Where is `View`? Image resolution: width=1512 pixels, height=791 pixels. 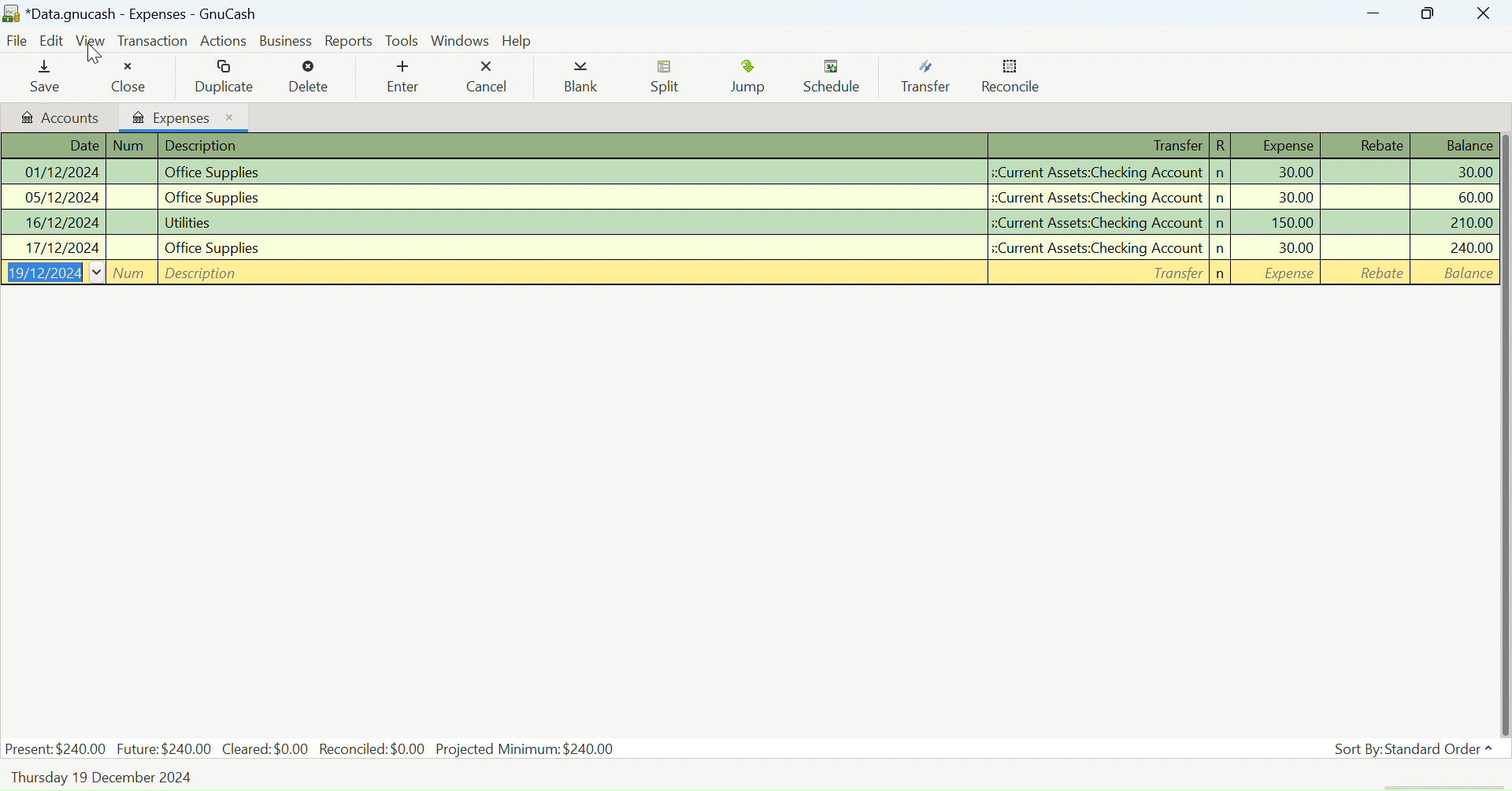 View is located at coordinates (91, 43).